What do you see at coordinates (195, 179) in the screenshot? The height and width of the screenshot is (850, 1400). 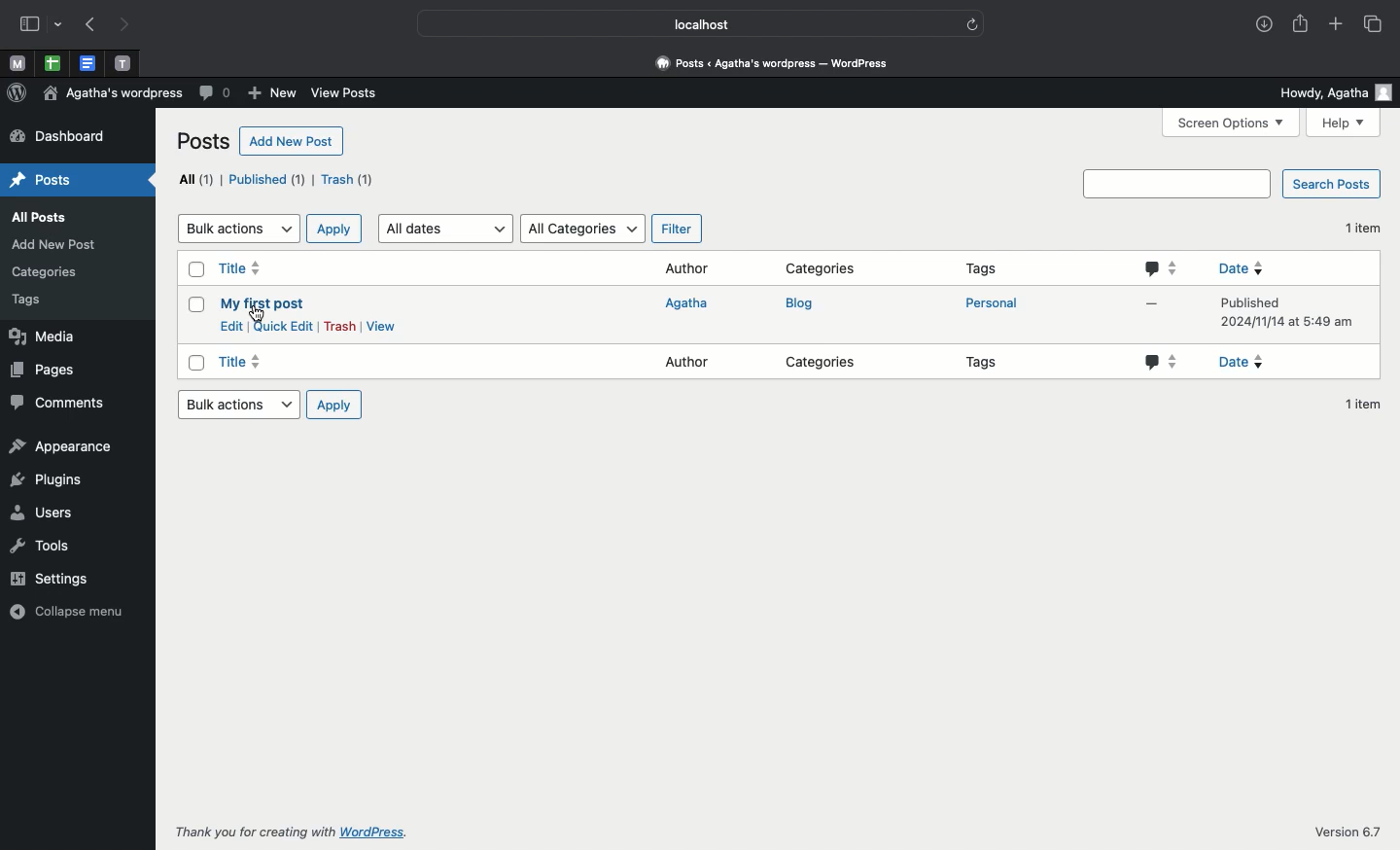 I see `All` at bounding box center [195, 179].